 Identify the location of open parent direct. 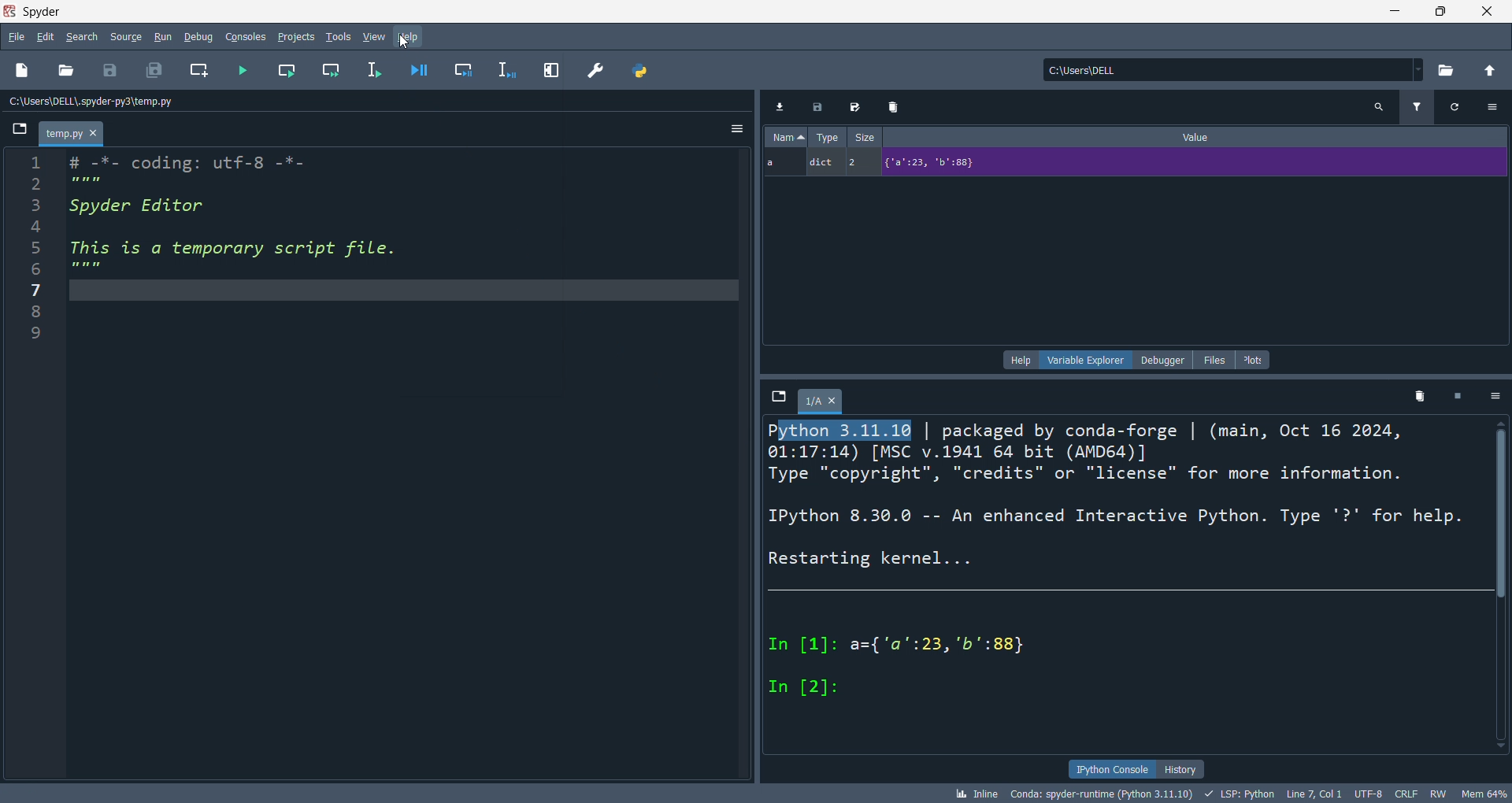
(1490, 72).